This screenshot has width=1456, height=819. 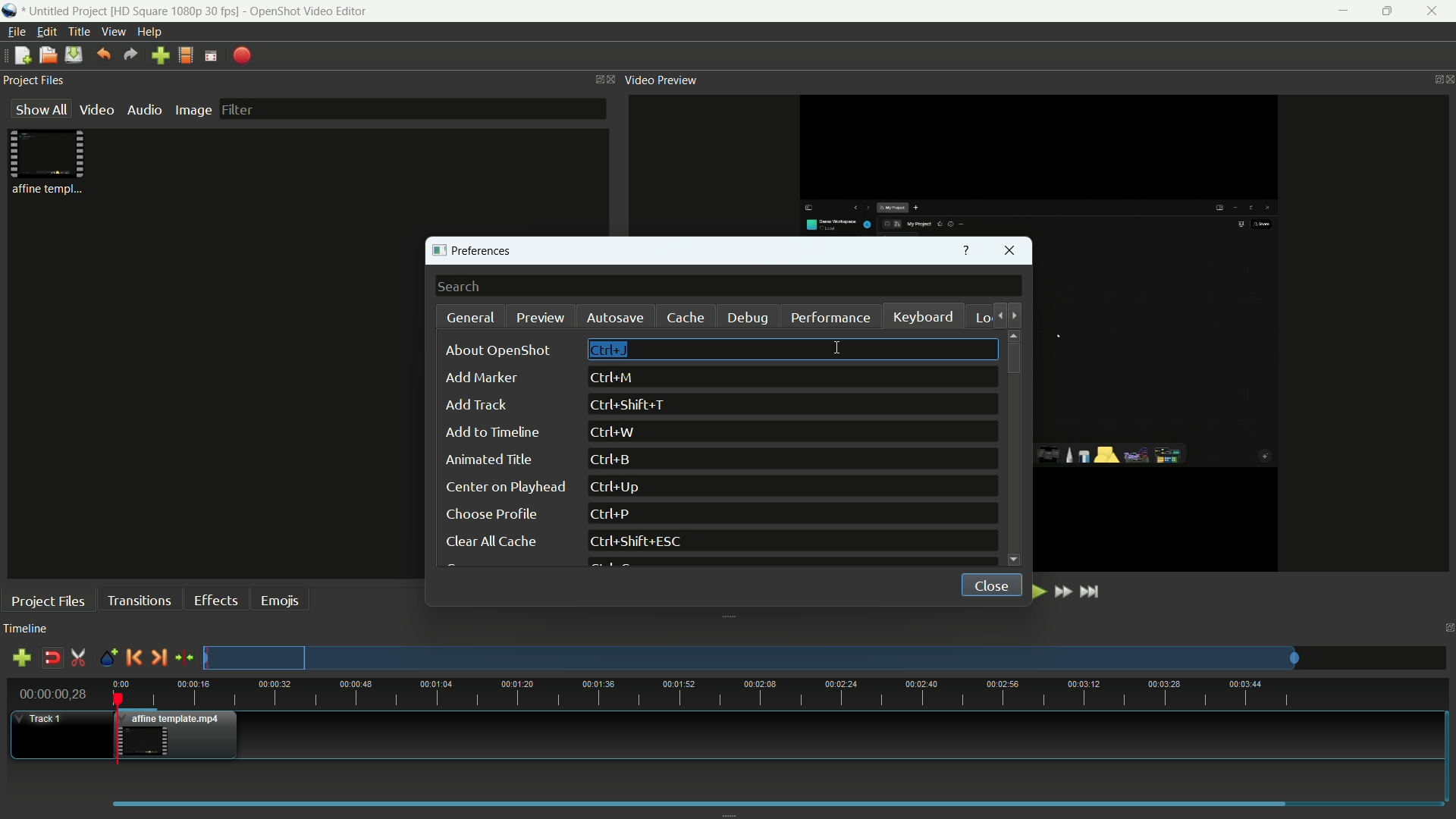 What do you see at coordinates (146, 110) in the screenshot?
I see `audio` at bounding box center [146, 110].